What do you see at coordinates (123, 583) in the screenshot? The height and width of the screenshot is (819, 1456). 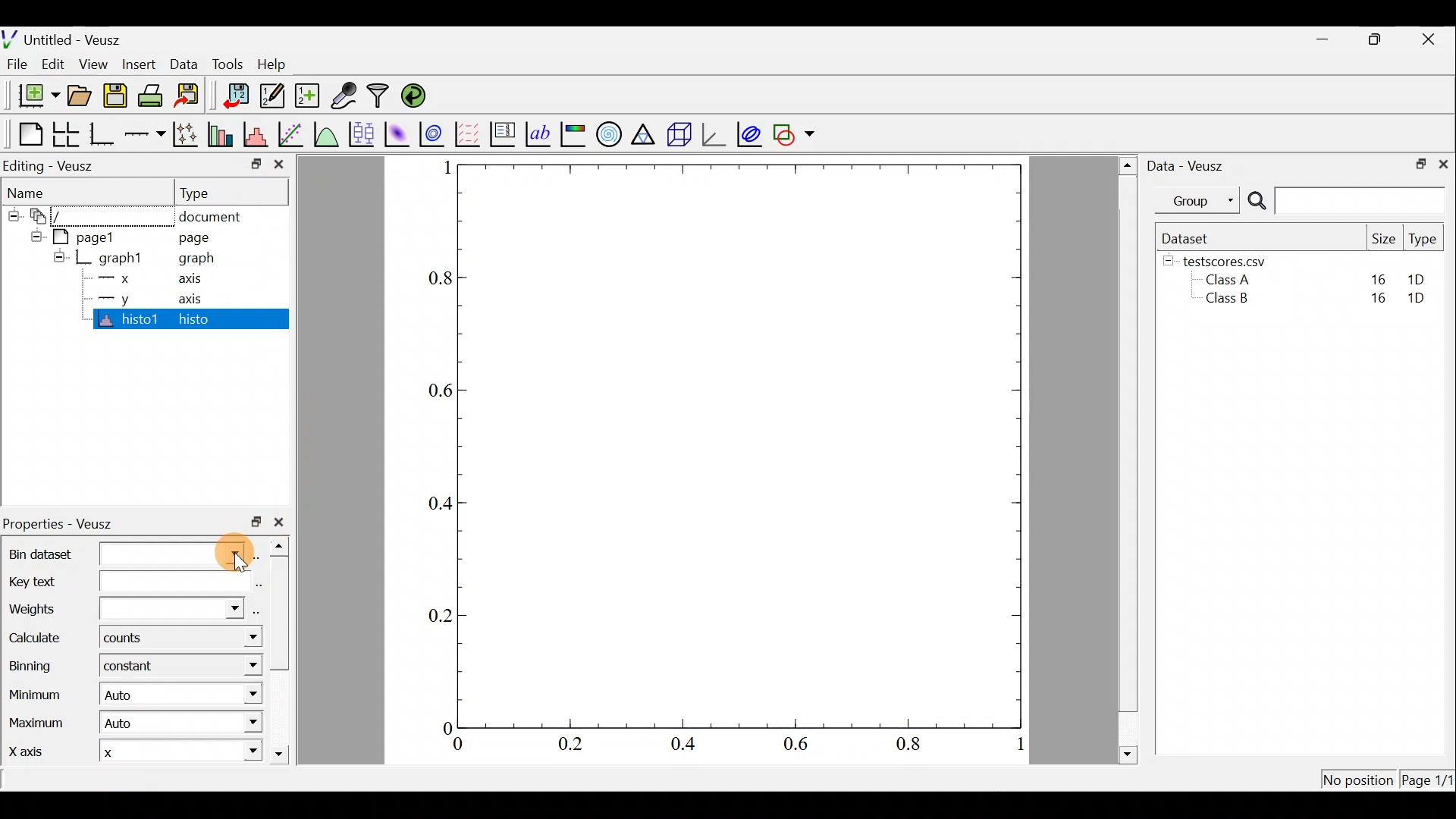 I see `Key text` at bounding box center [123, 583].